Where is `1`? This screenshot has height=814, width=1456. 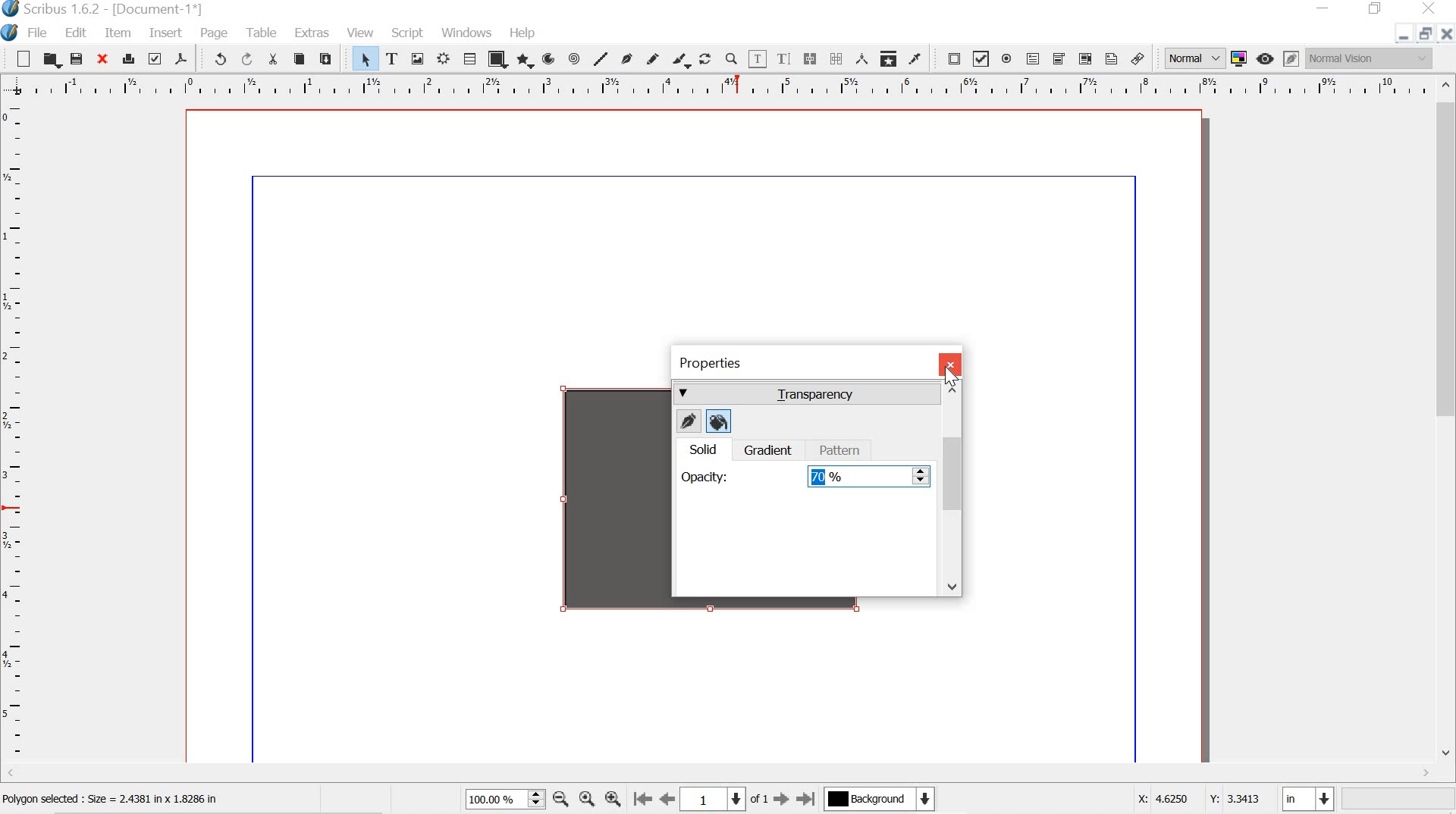
1 is located at coordinates (712, 800).